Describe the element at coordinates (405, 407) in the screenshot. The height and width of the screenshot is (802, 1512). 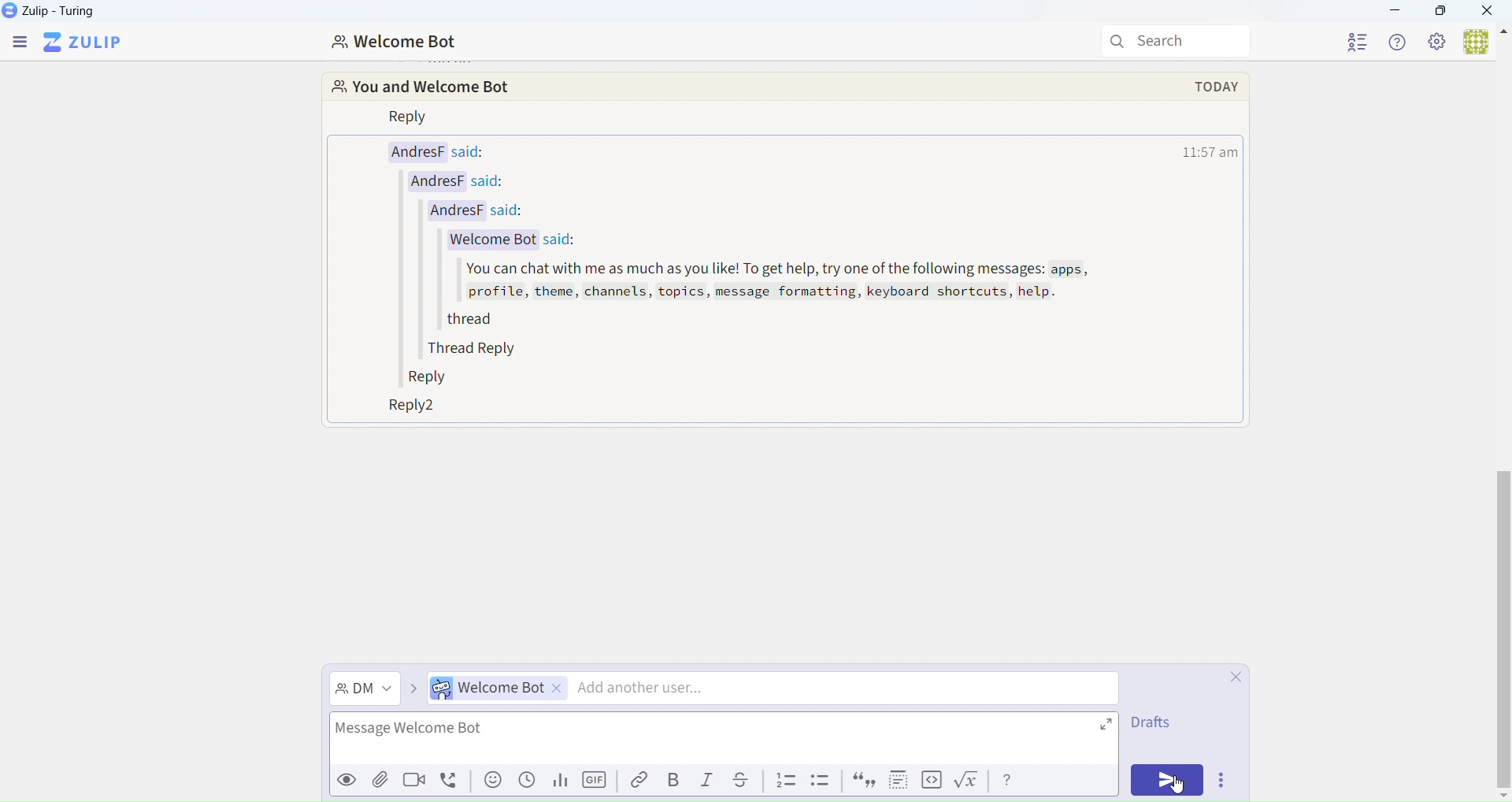
I see `Reply2` at that location.